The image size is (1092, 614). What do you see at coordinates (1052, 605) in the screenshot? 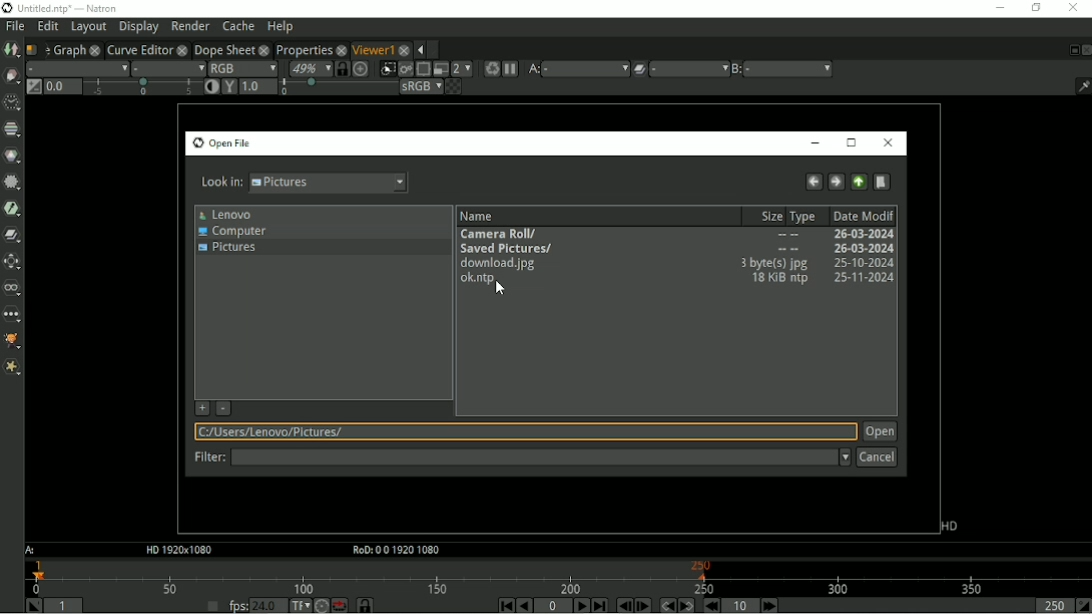
I see `Playback out point` at bounding box center [1052, 605].